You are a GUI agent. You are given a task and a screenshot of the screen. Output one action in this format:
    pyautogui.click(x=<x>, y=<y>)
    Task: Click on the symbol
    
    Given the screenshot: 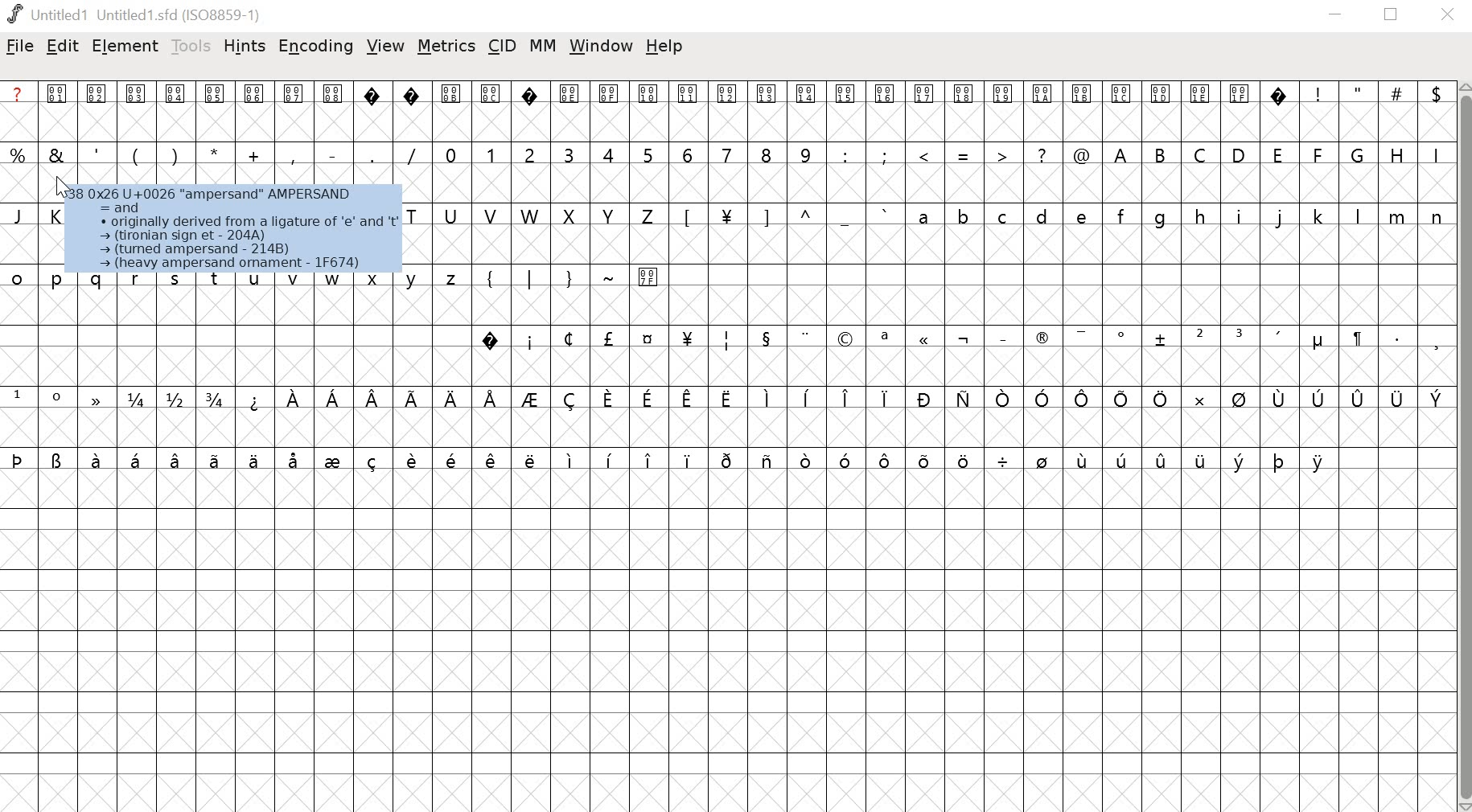 What is the action you would take?
    pyautogui.click(x=253, y=459)
    